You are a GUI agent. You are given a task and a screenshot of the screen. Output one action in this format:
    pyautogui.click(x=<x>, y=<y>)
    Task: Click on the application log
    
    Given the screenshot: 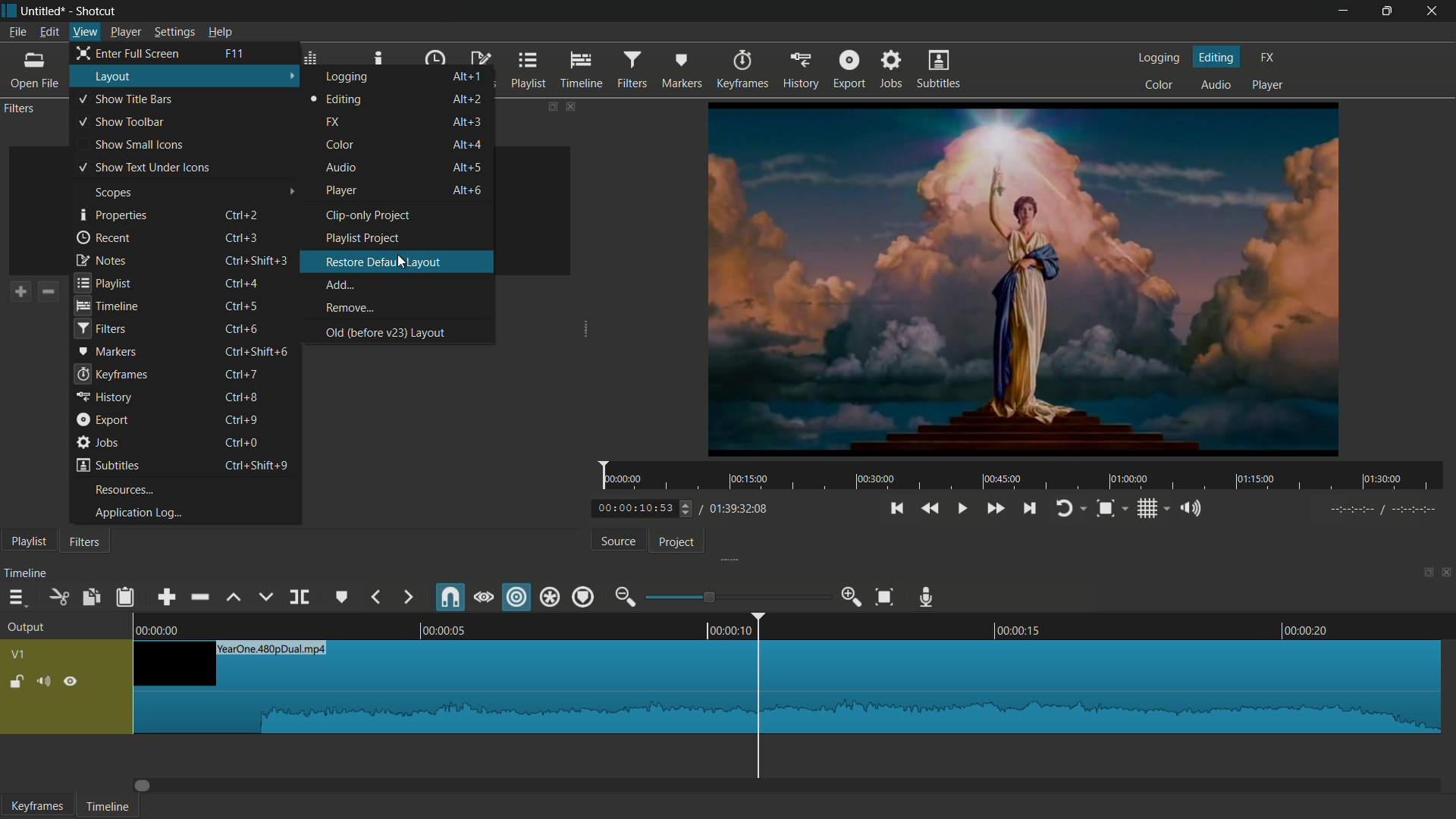 What is the action you would take?
    pyautogui.click(x=133, y=513)
    